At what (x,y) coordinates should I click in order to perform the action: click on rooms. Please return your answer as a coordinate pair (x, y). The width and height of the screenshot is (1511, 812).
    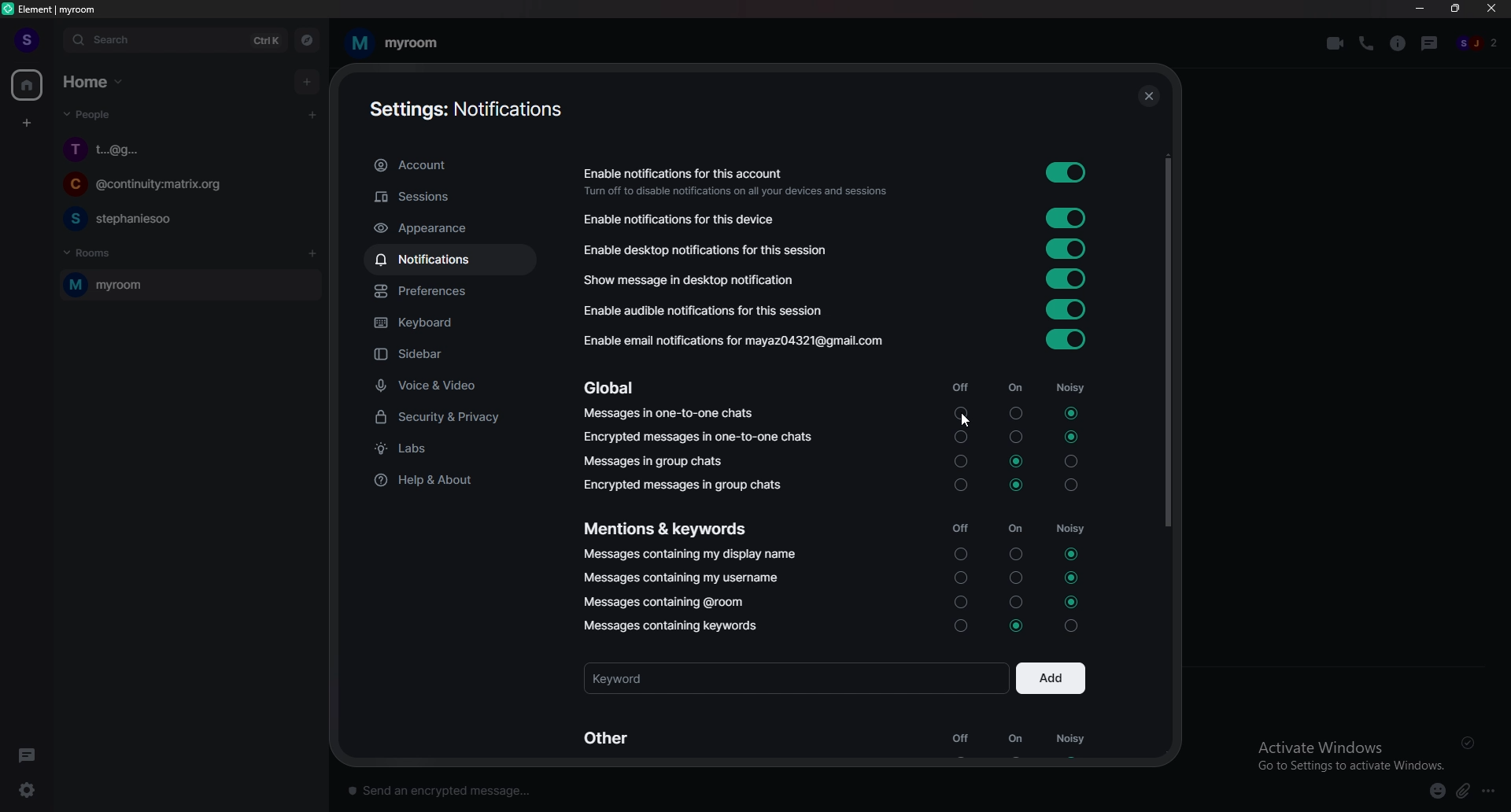
    Looking at the image, I should click on (105, 254).